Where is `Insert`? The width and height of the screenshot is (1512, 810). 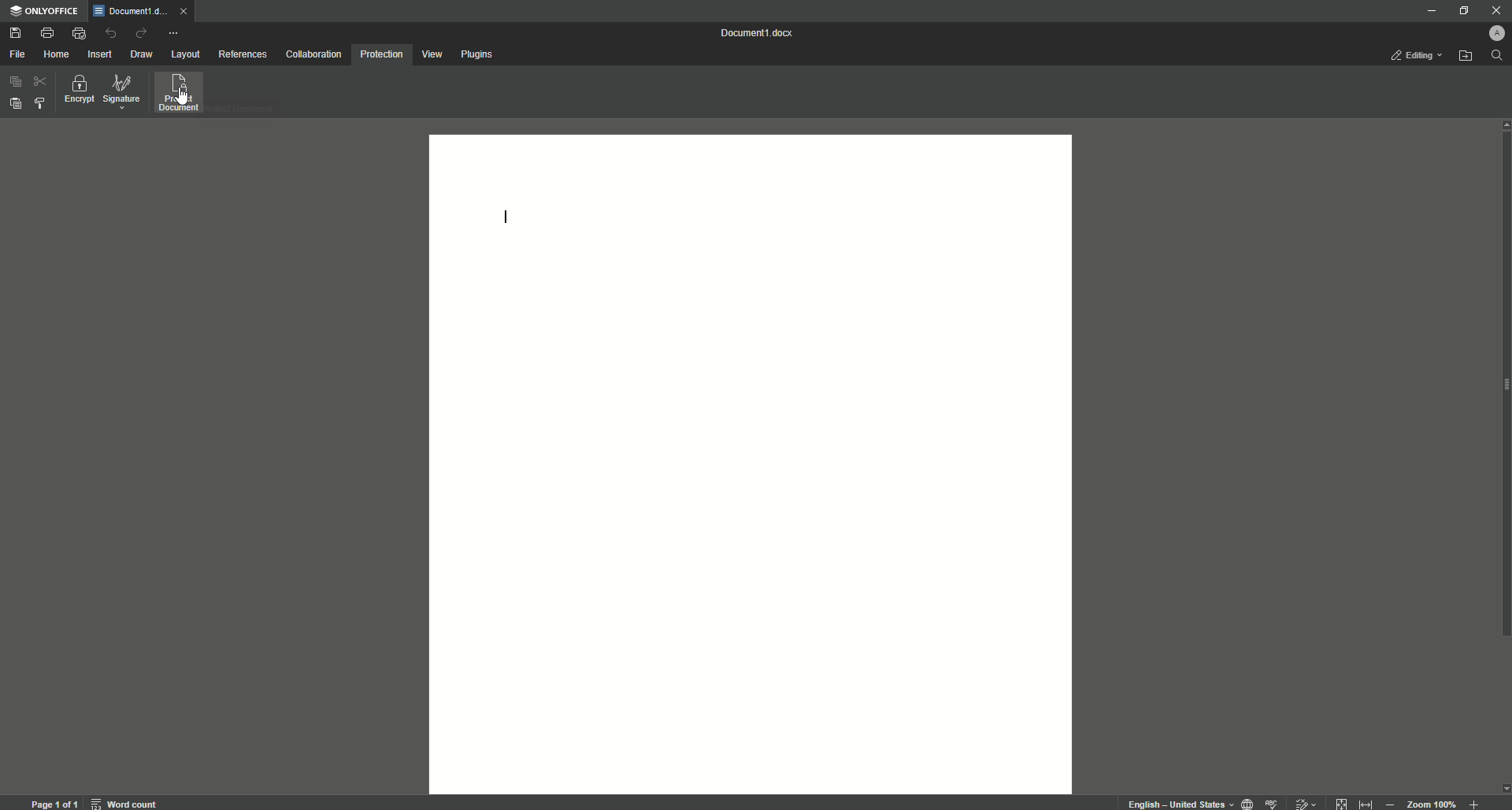 Insert is located at coordinates (101, 54).